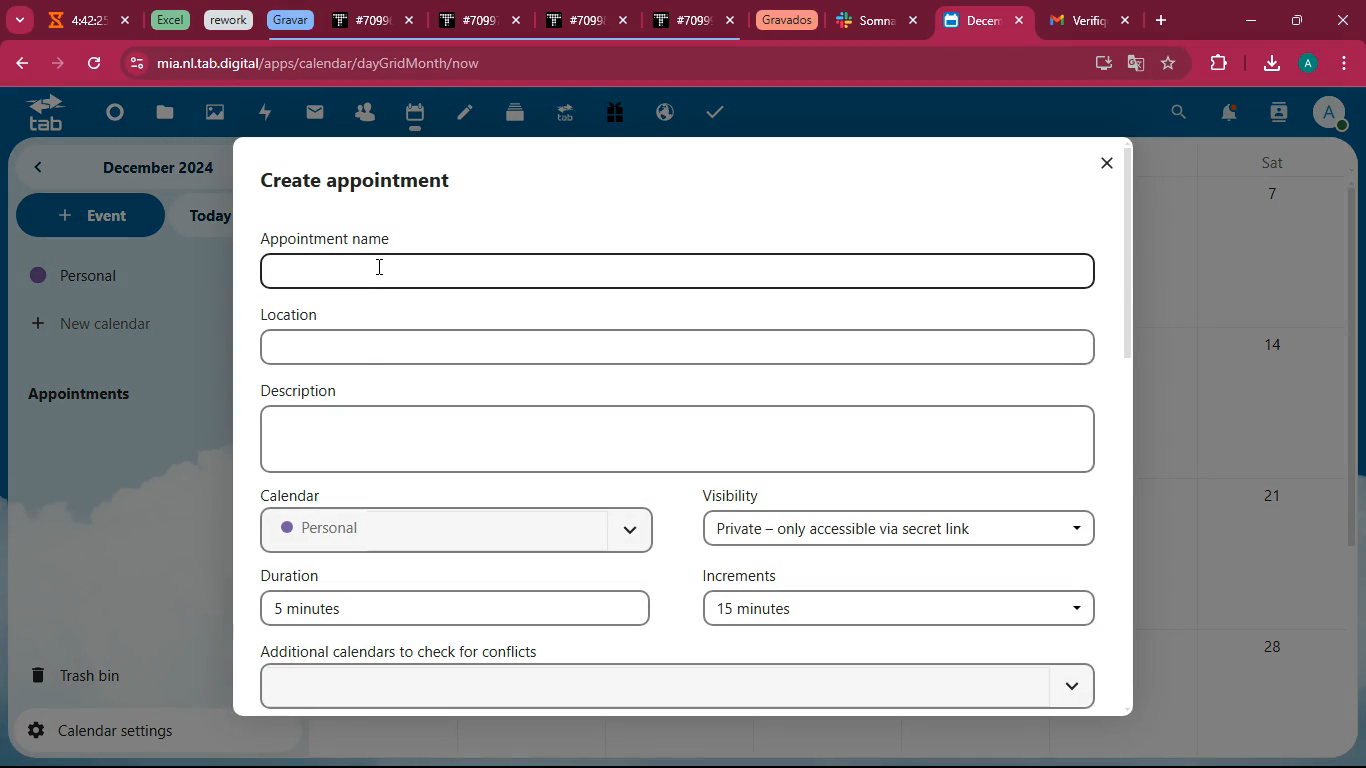  I want to click on back, so click(20, 65).